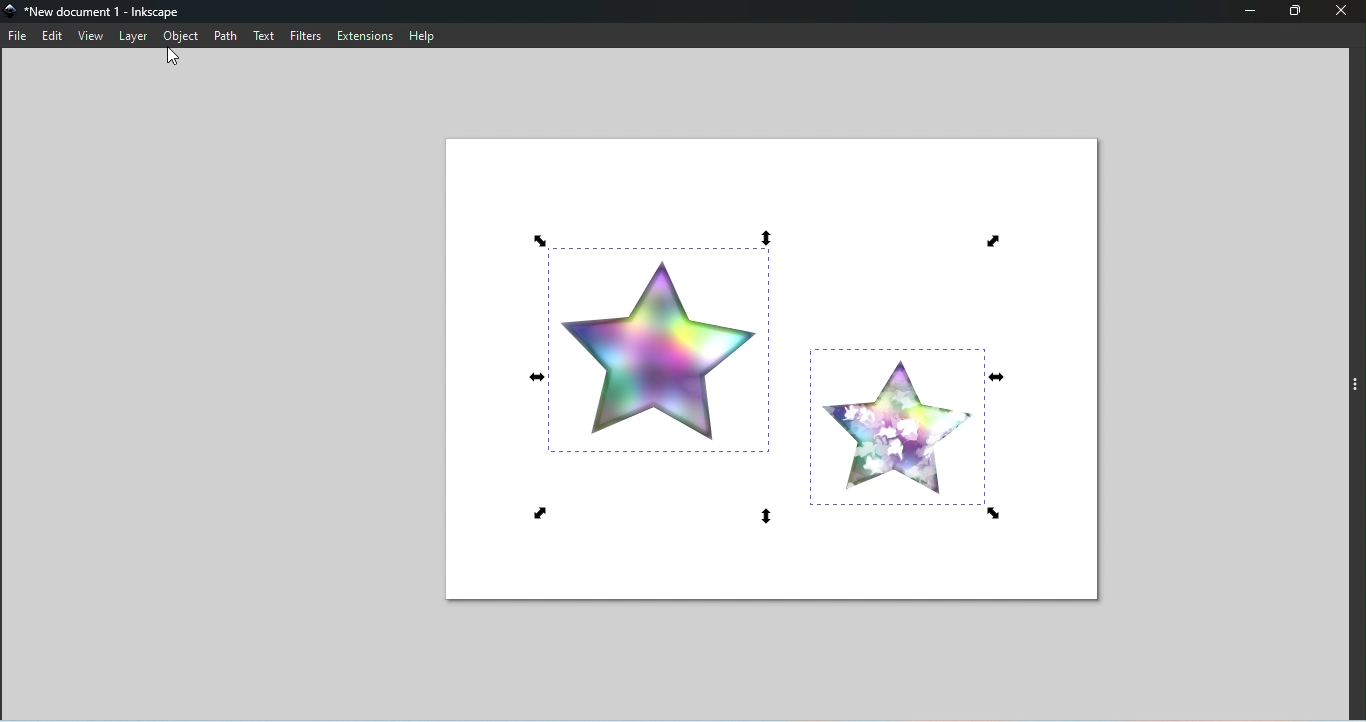 The width and height of the screenshot is (1366, 722). What do you see at coordinates (176, 55) in the screenshot?
I see `Cursor` at bounding box center [176, 55].